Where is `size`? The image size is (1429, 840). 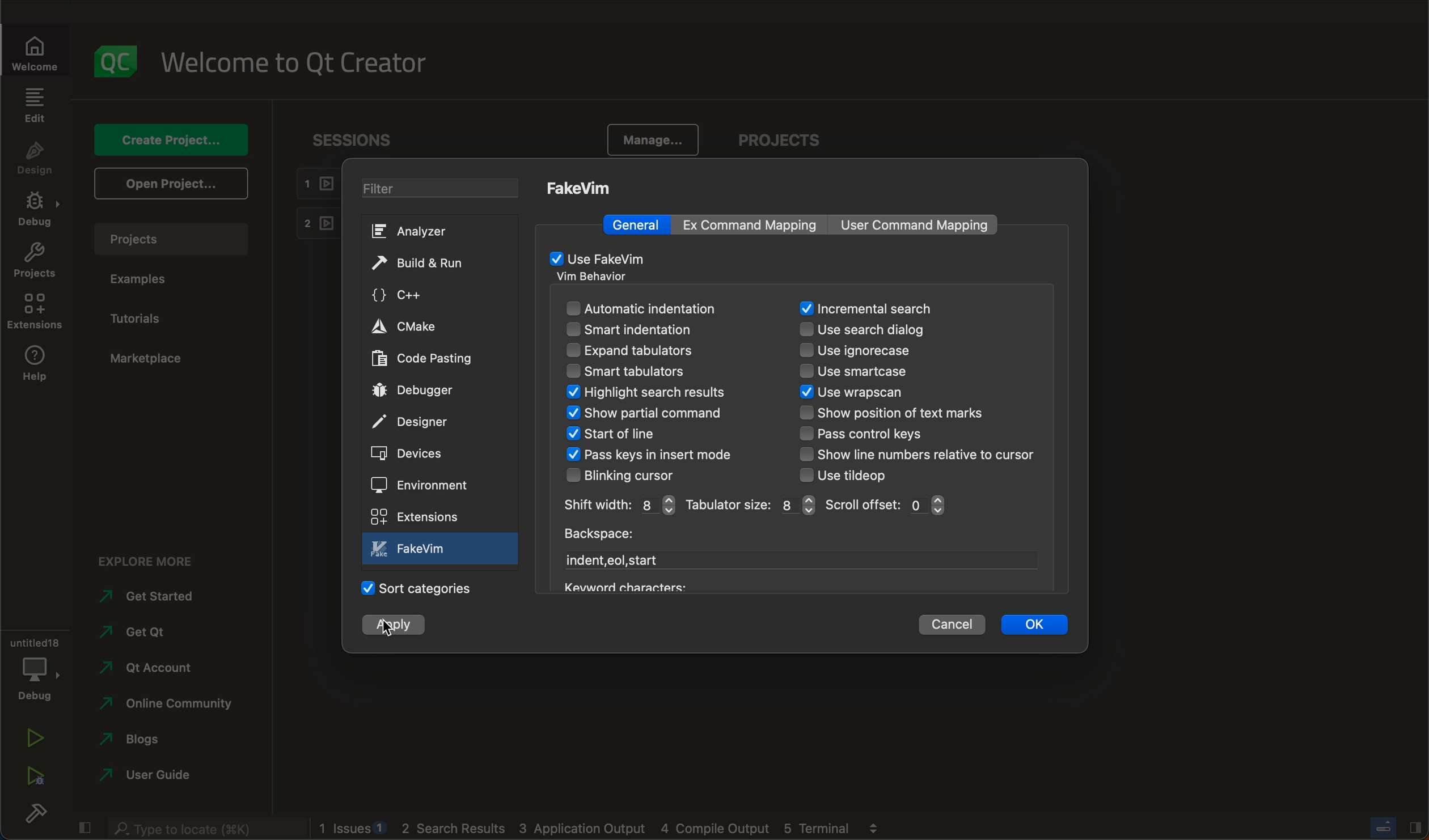 size is located at coordinates (750, 505).